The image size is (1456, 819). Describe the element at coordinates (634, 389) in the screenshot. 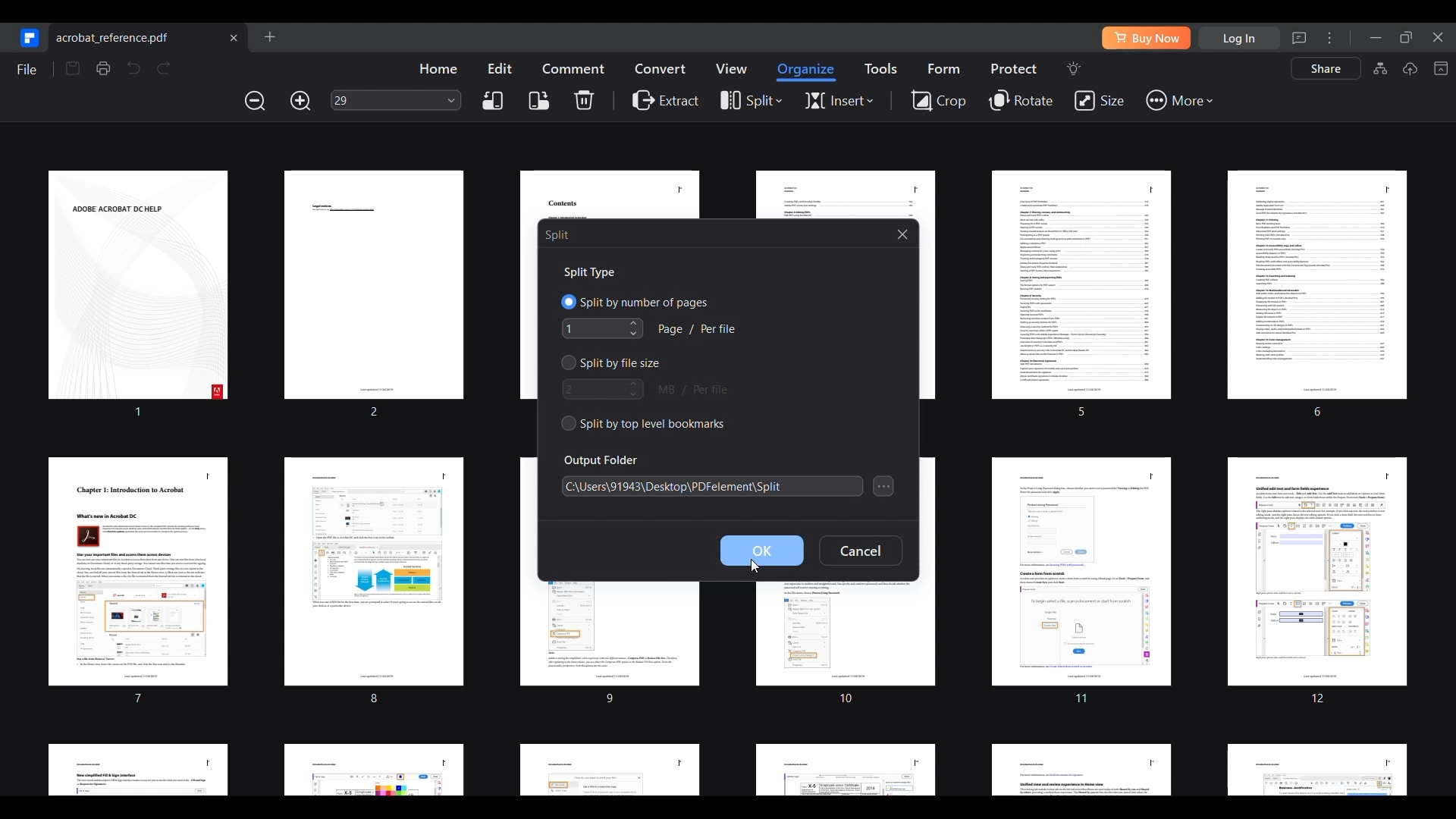

I see `Increase/Decrease file size` at that location.